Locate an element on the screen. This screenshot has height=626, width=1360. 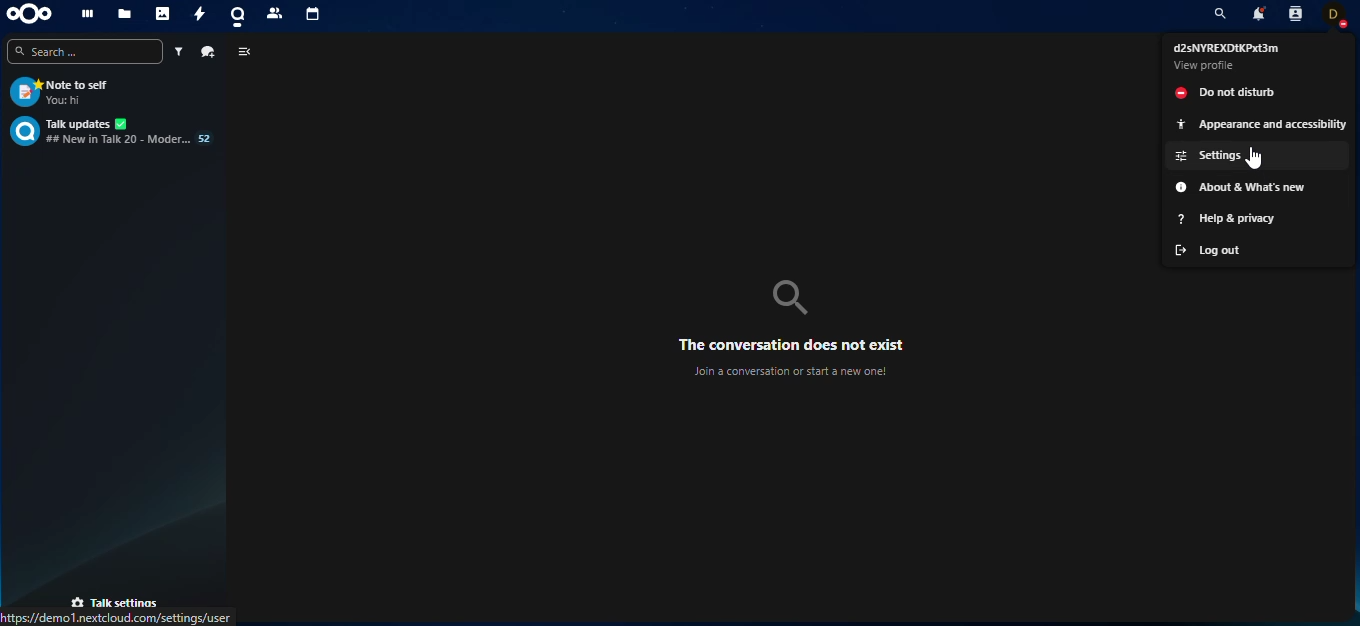
notifications is located at coordinates (1259, 13).